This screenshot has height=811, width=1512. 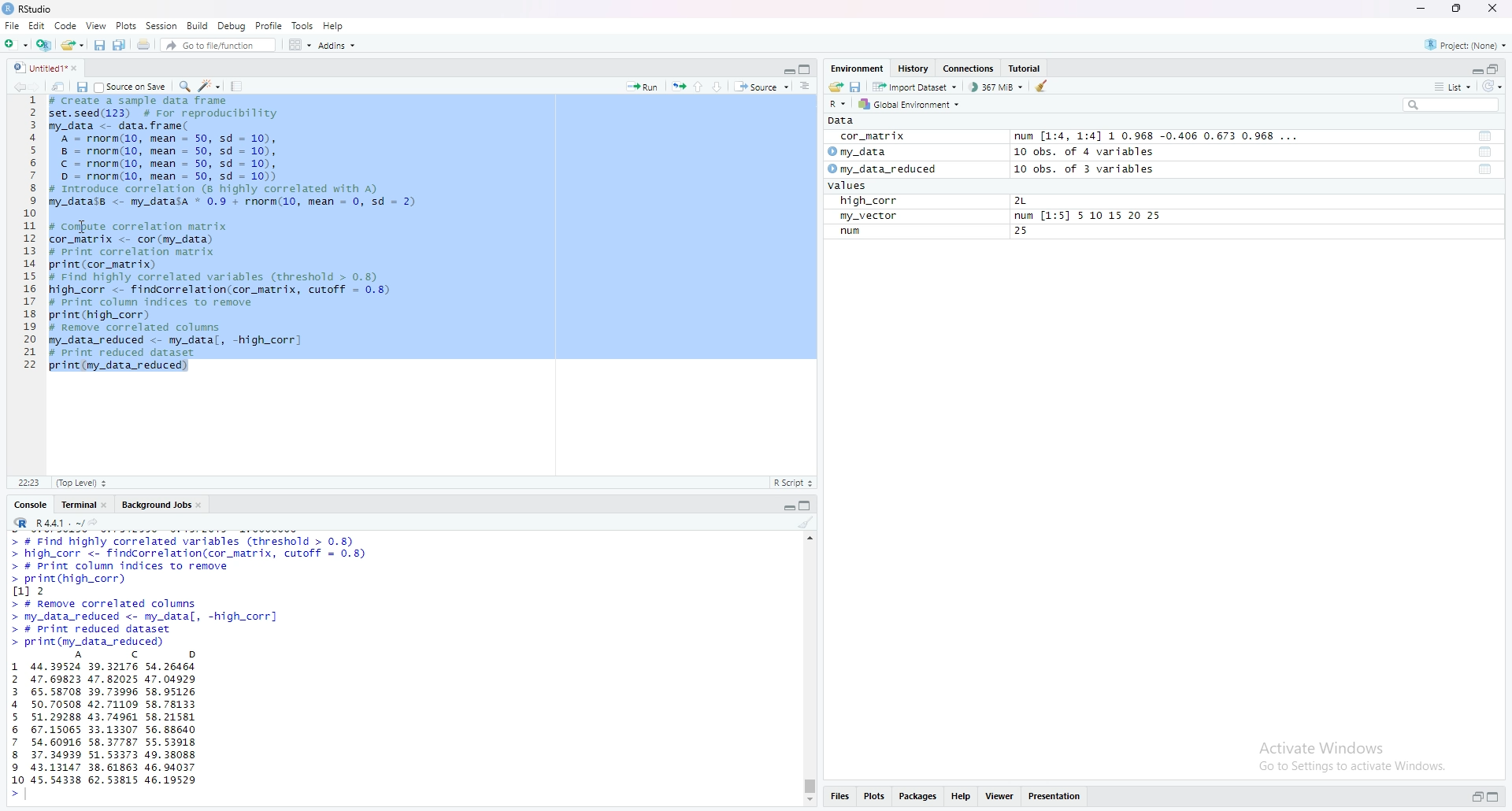 What do you see at coordinates (764, 87) in the screenshot?
I see `Source` at bounding box center [764, 87].